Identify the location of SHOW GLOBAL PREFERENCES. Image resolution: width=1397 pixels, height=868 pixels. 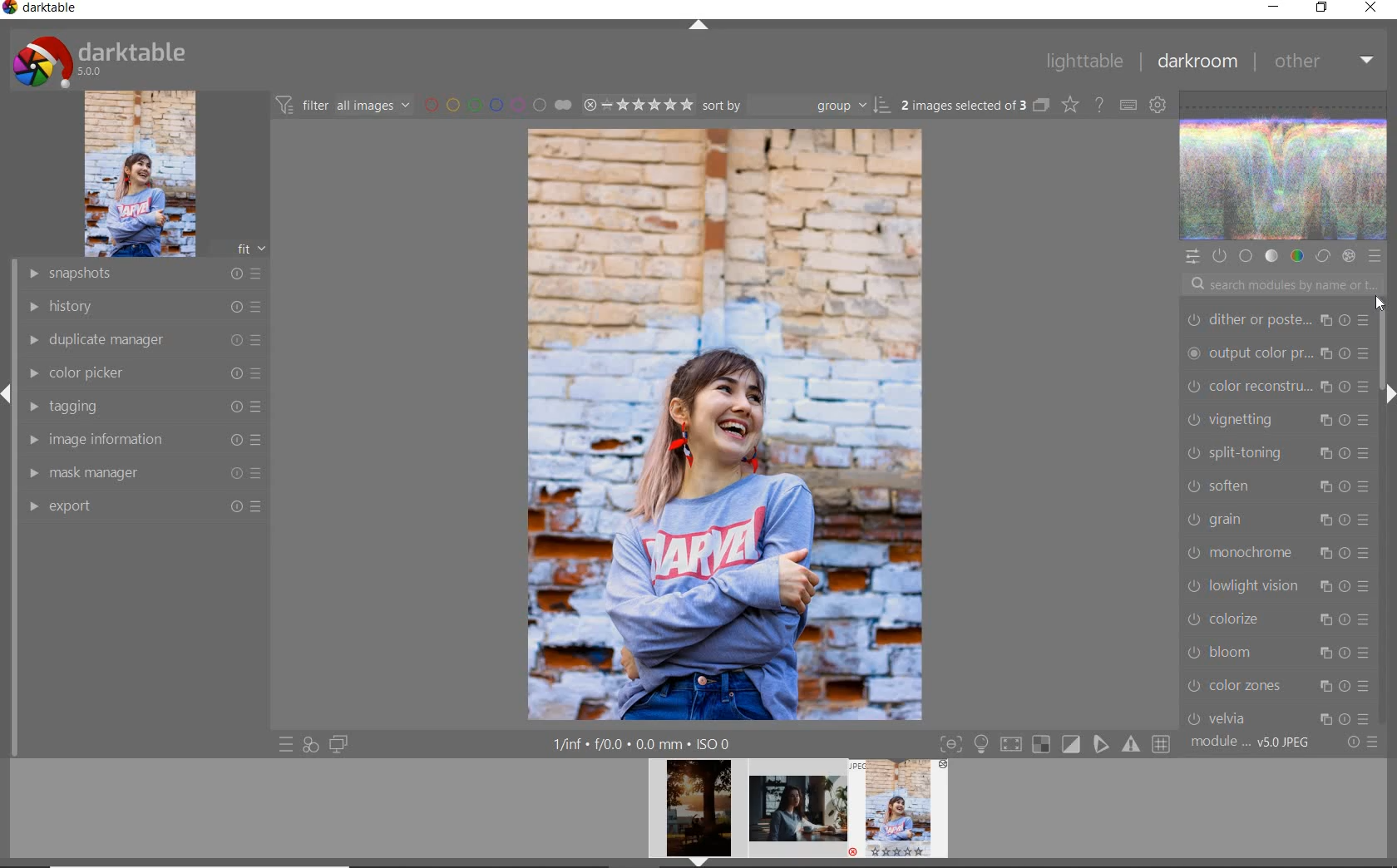
(1156, 104).